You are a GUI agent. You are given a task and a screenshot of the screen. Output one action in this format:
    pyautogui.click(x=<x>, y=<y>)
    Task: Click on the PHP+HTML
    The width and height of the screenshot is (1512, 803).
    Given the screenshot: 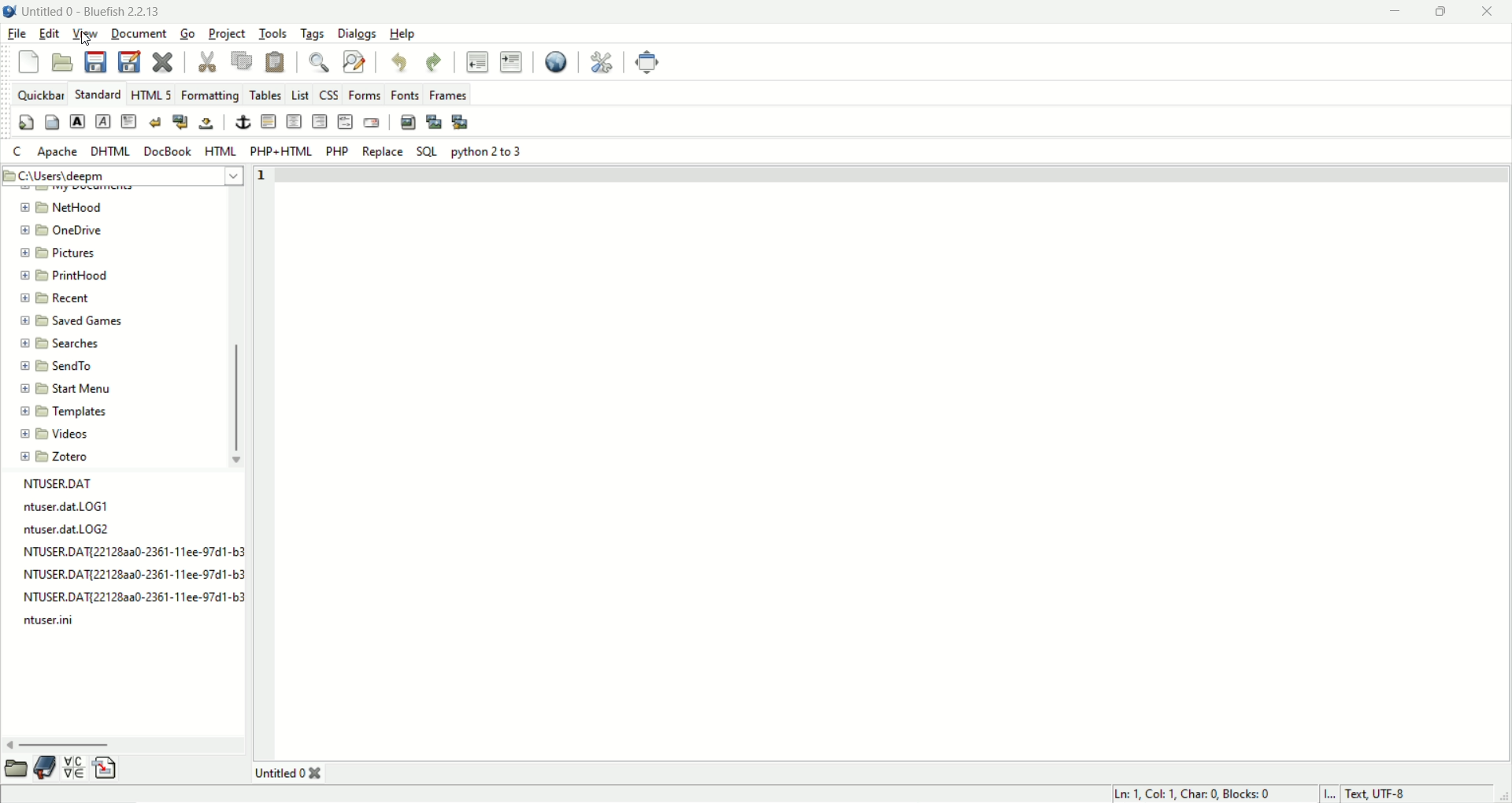 What is the action you would take?
    pyautogui.click(x=282, y=153)
    